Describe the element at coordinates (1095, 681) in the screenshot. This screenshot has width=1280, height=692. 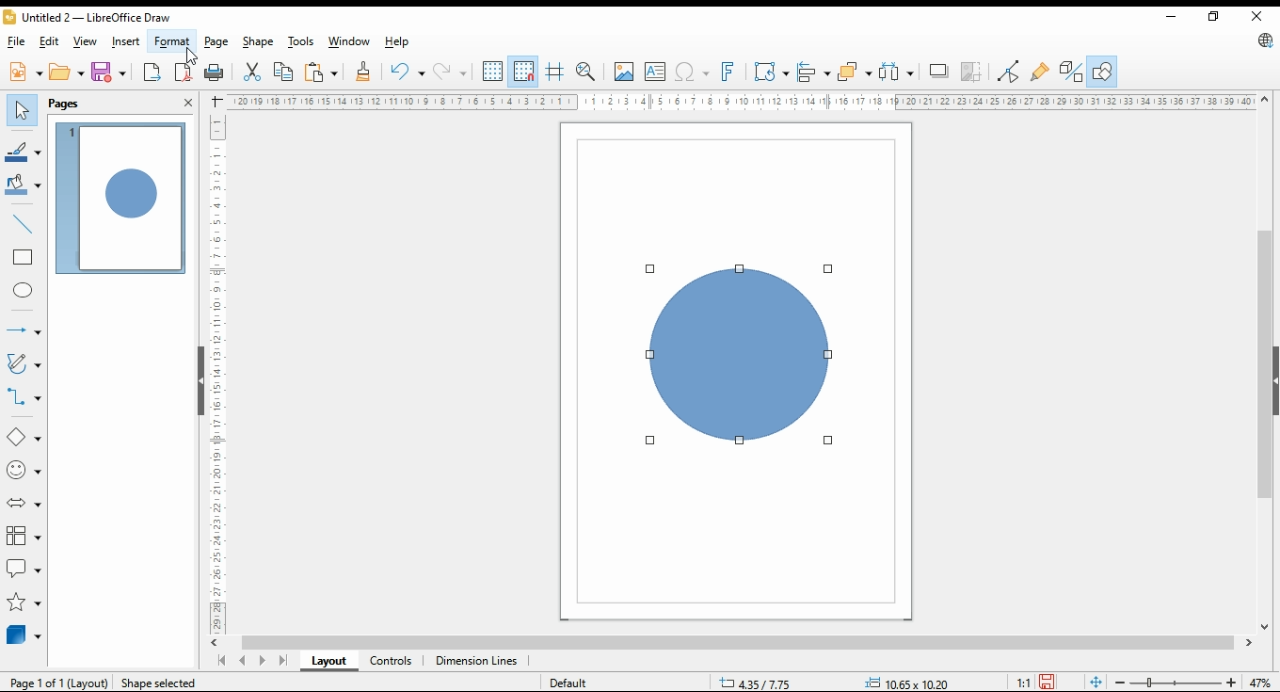
I see `fit page to window` at that location.